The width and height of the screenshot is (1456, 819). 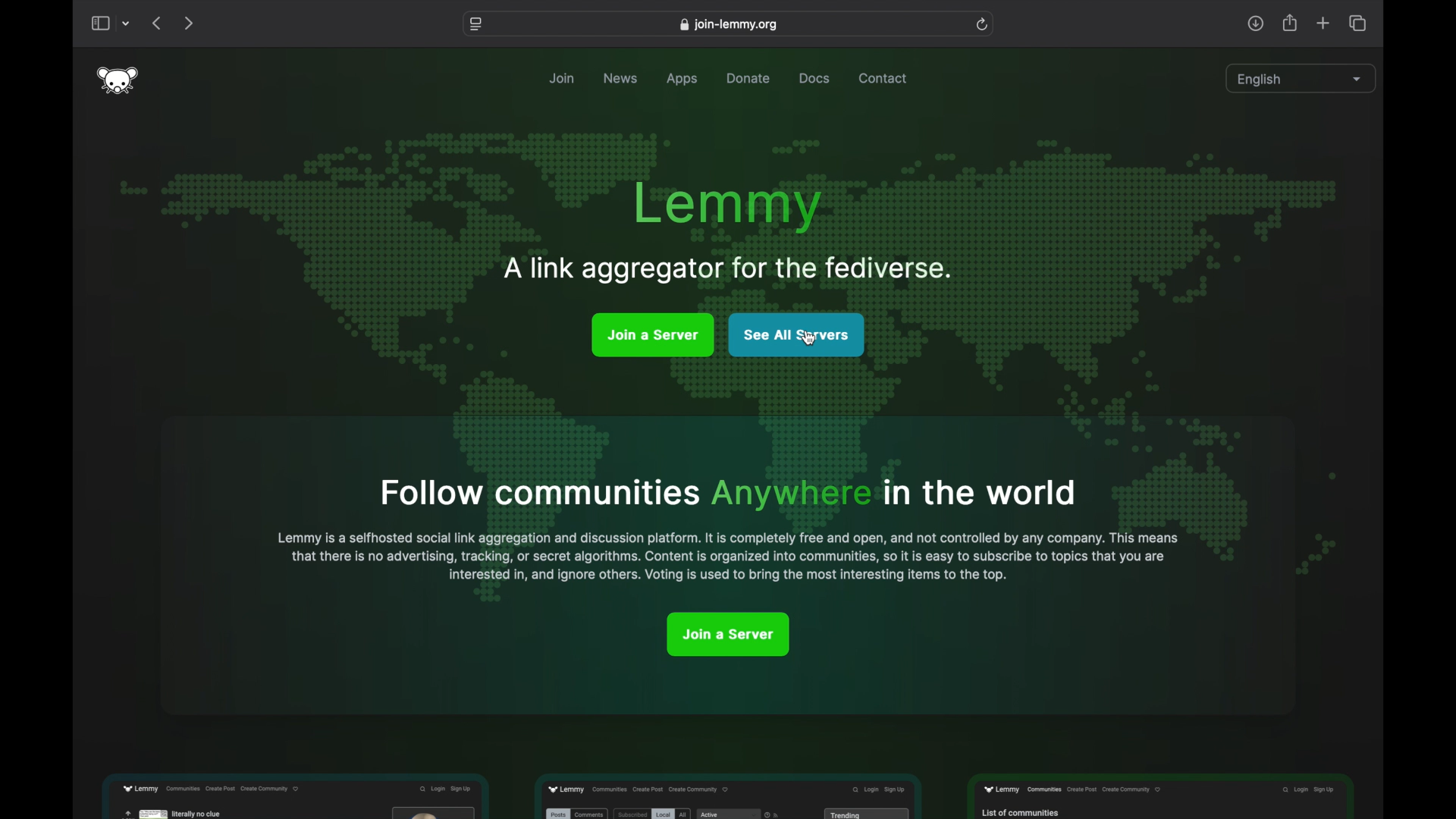 I want to click on donate, so click(x=747, y=79).